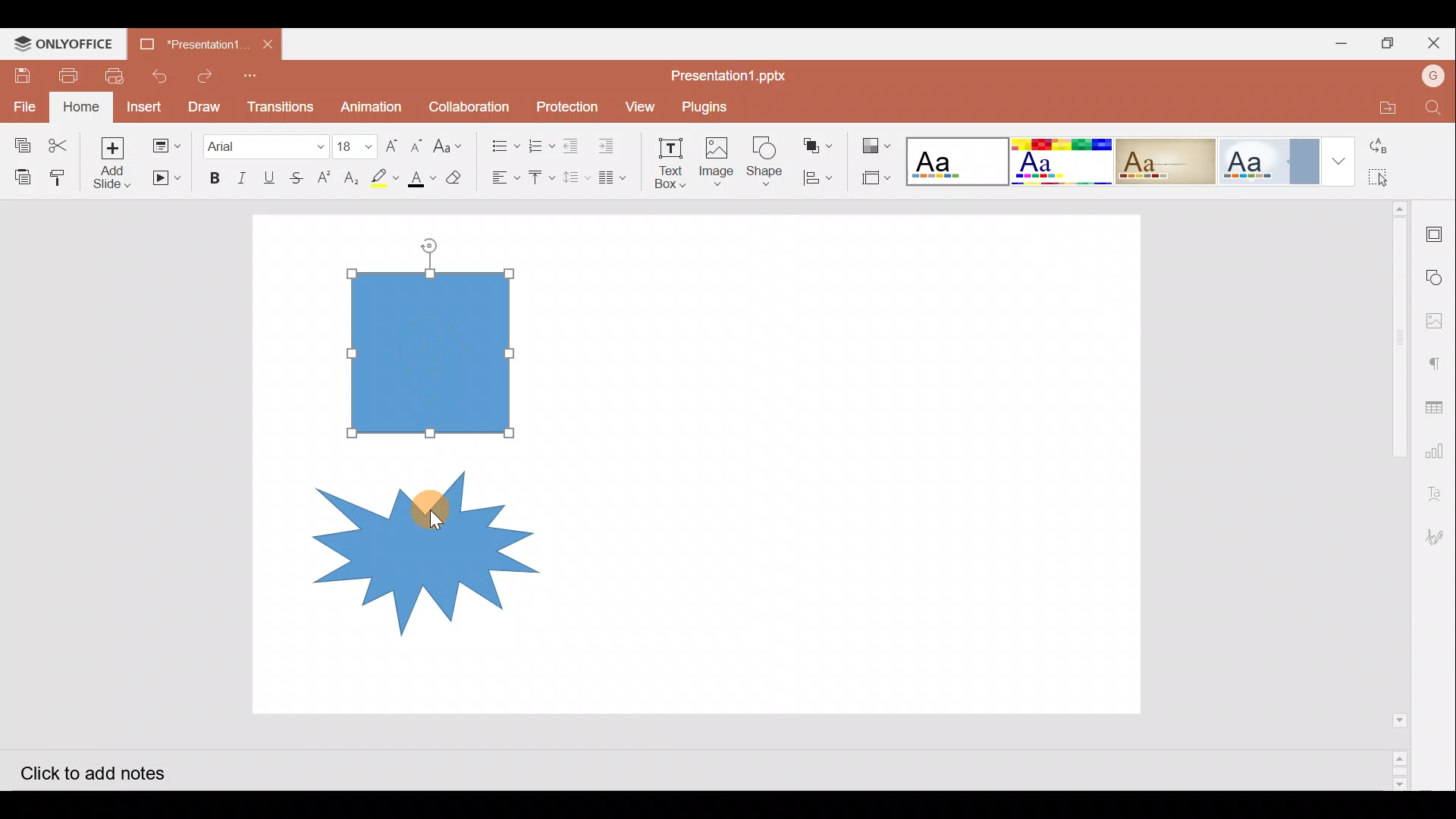  What do you see at coordinates (1437, 231) in the screenshot?
I see `Slide settings` at bounding box center [1437, 231].